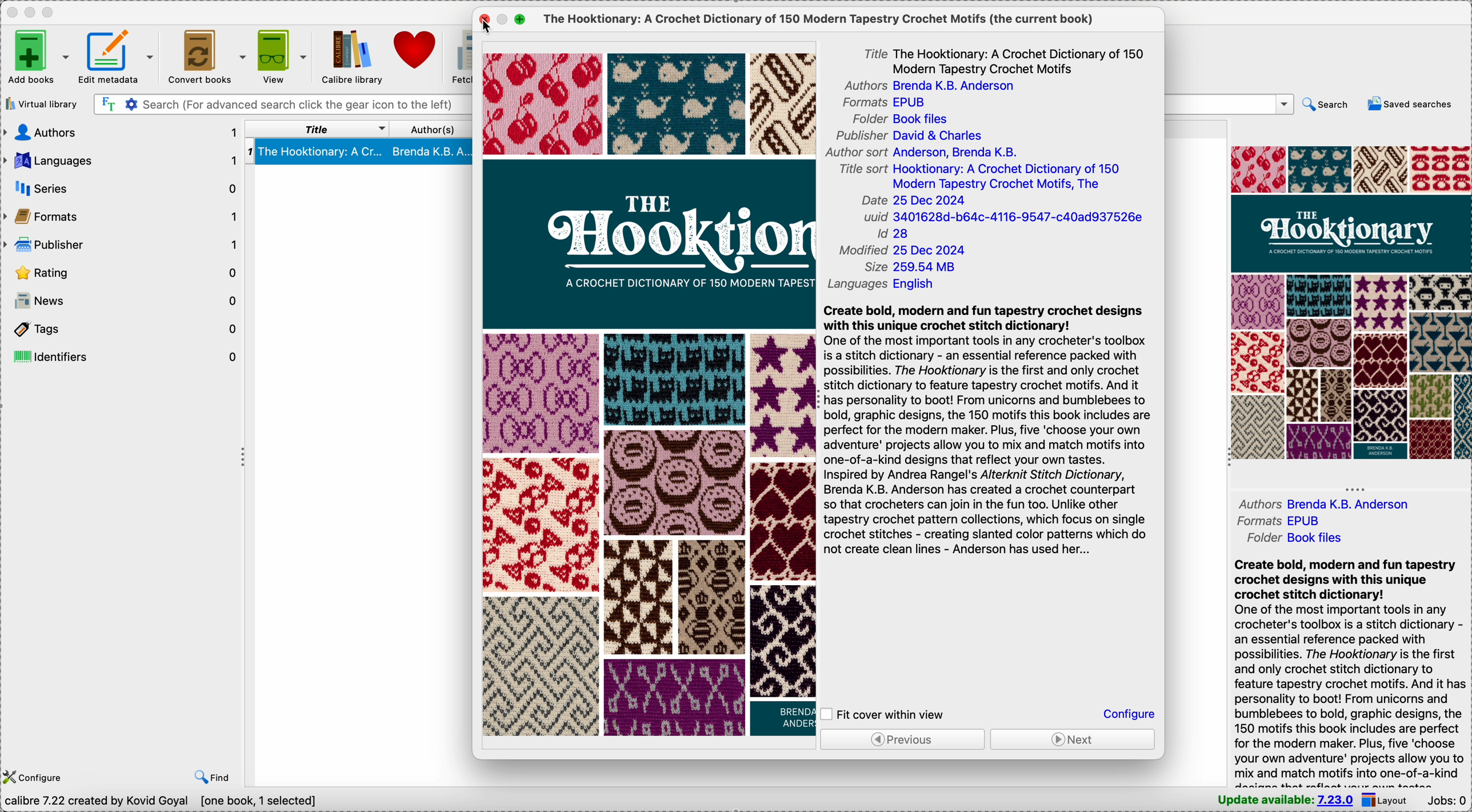 The image size is (1472, 812). I want to click on minimize, so click(33, 12).